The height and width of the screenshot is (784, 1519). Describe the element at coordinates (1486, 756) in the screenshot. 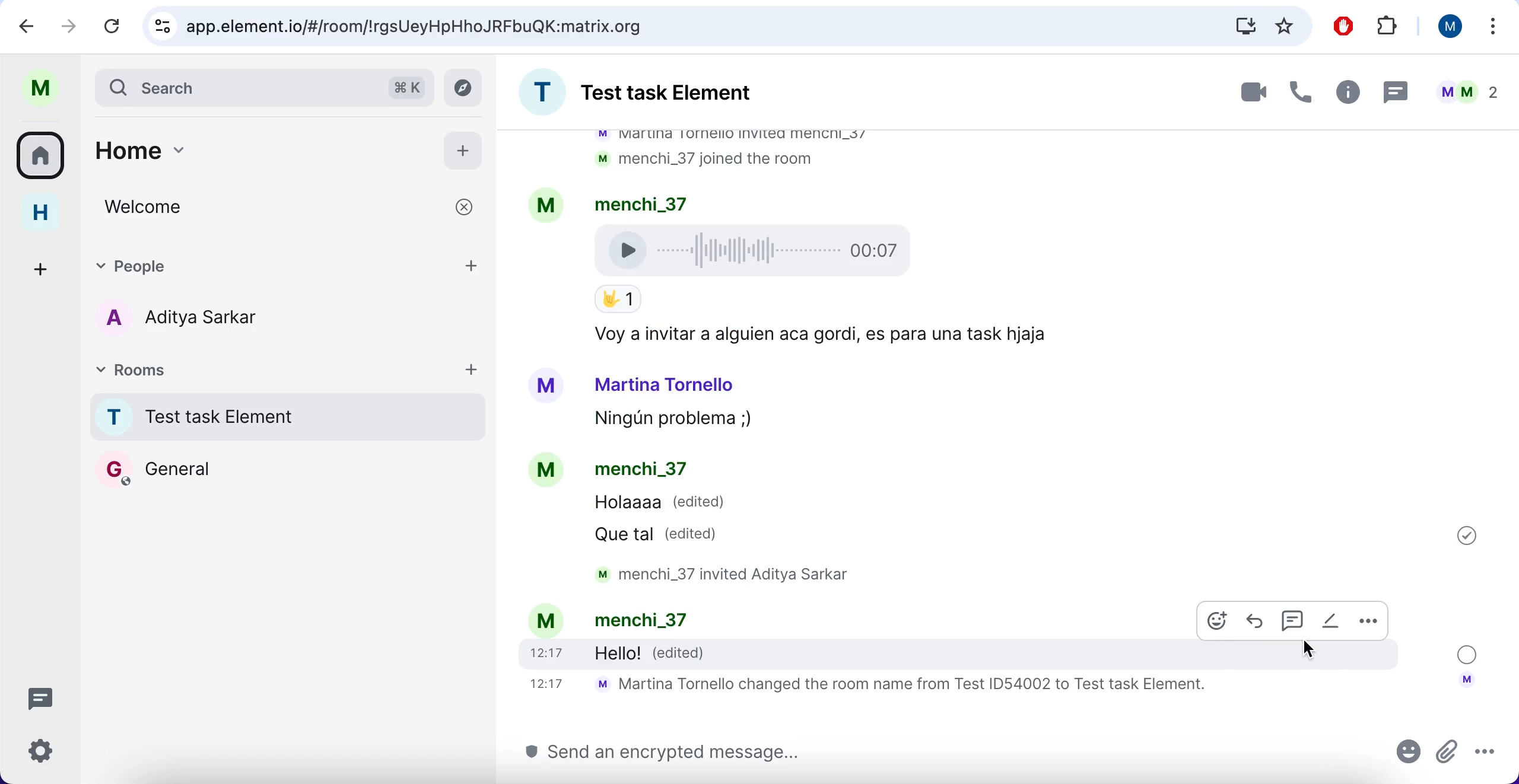

I see `more options` at that location.